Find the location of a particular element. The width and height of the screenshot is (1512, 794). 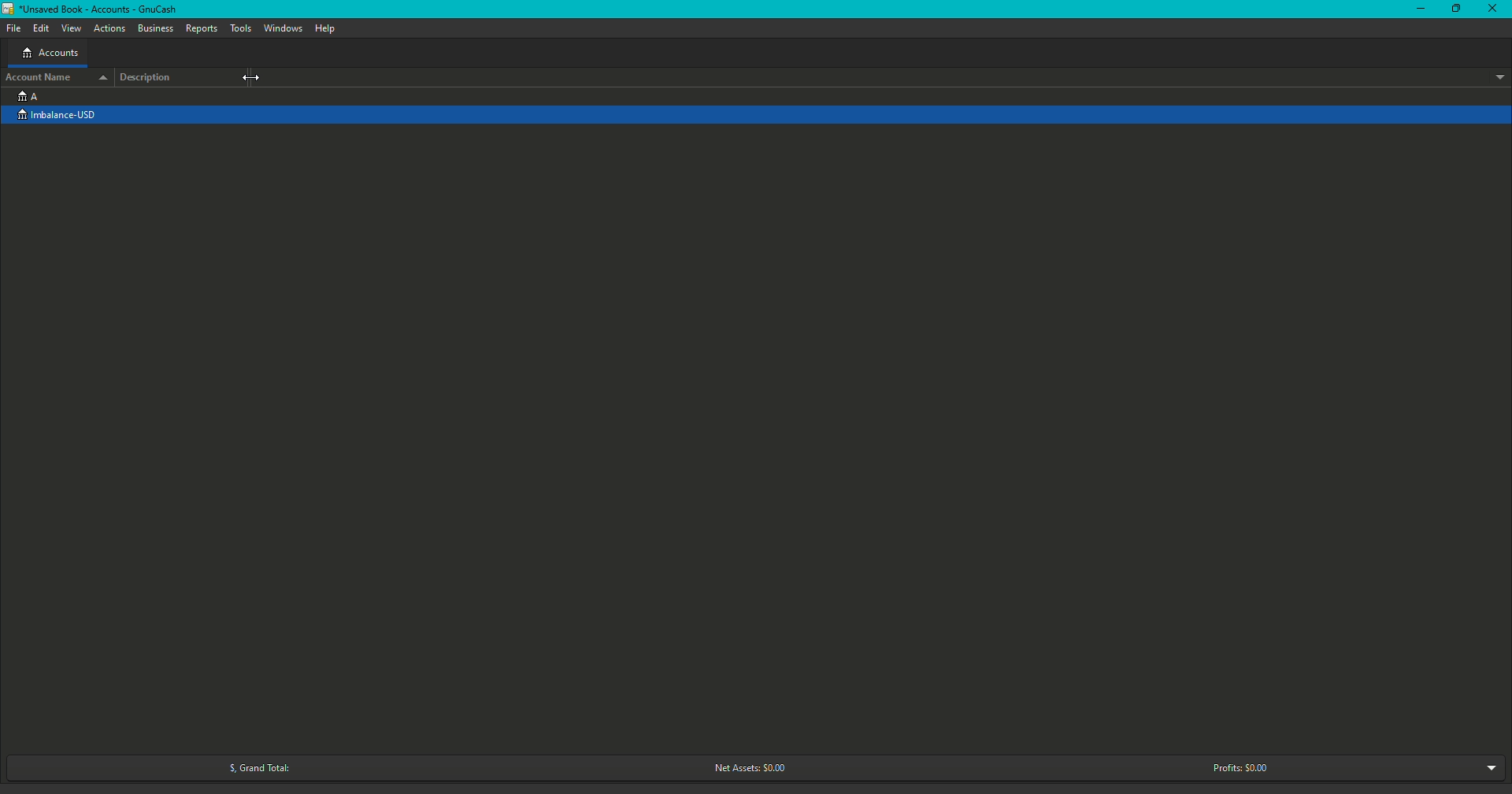

View is located at coordinates (72, 29).